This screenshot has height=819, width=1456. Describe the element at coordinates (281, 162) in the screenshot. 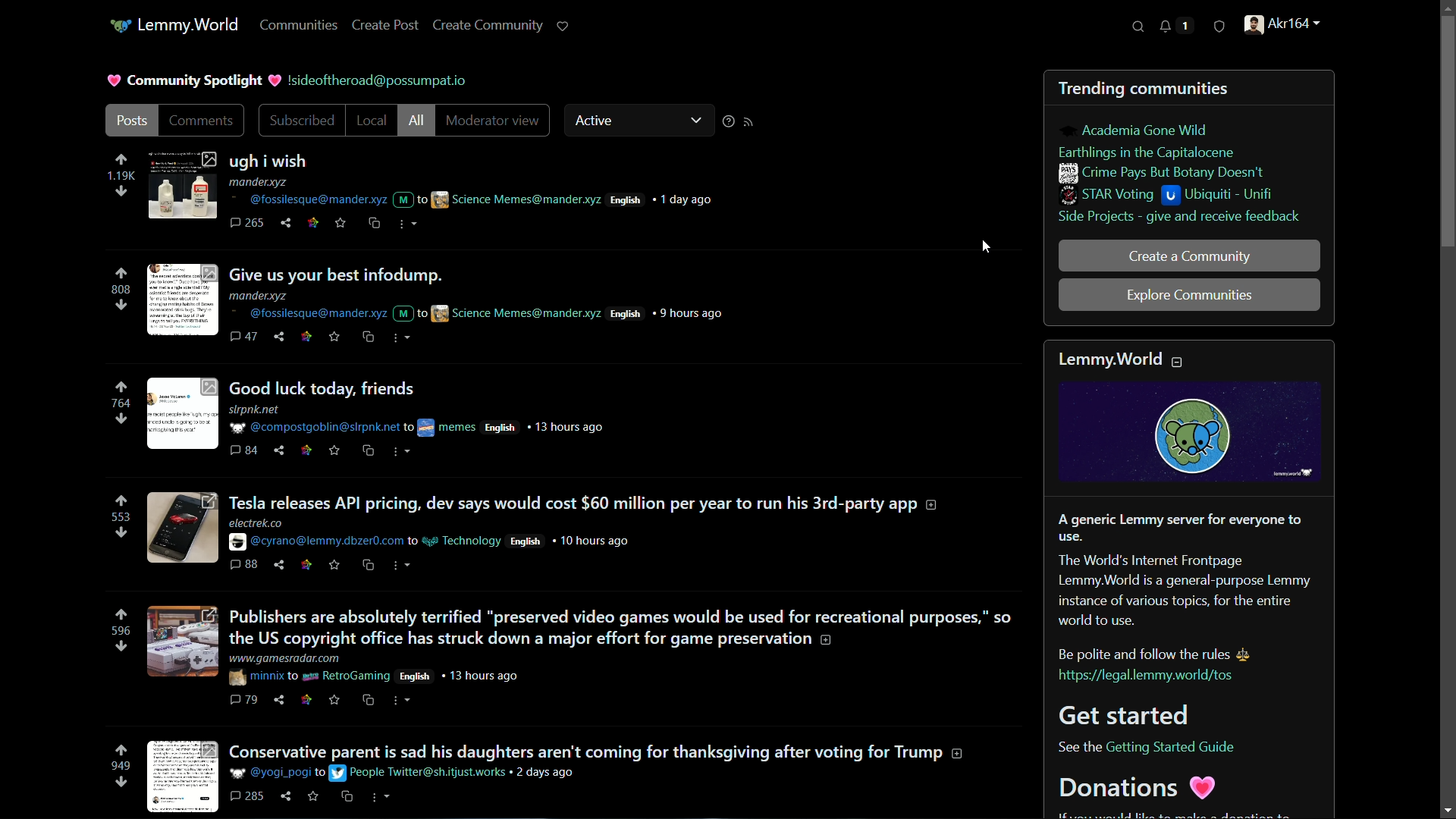

I see `ugh i wish` at that location.